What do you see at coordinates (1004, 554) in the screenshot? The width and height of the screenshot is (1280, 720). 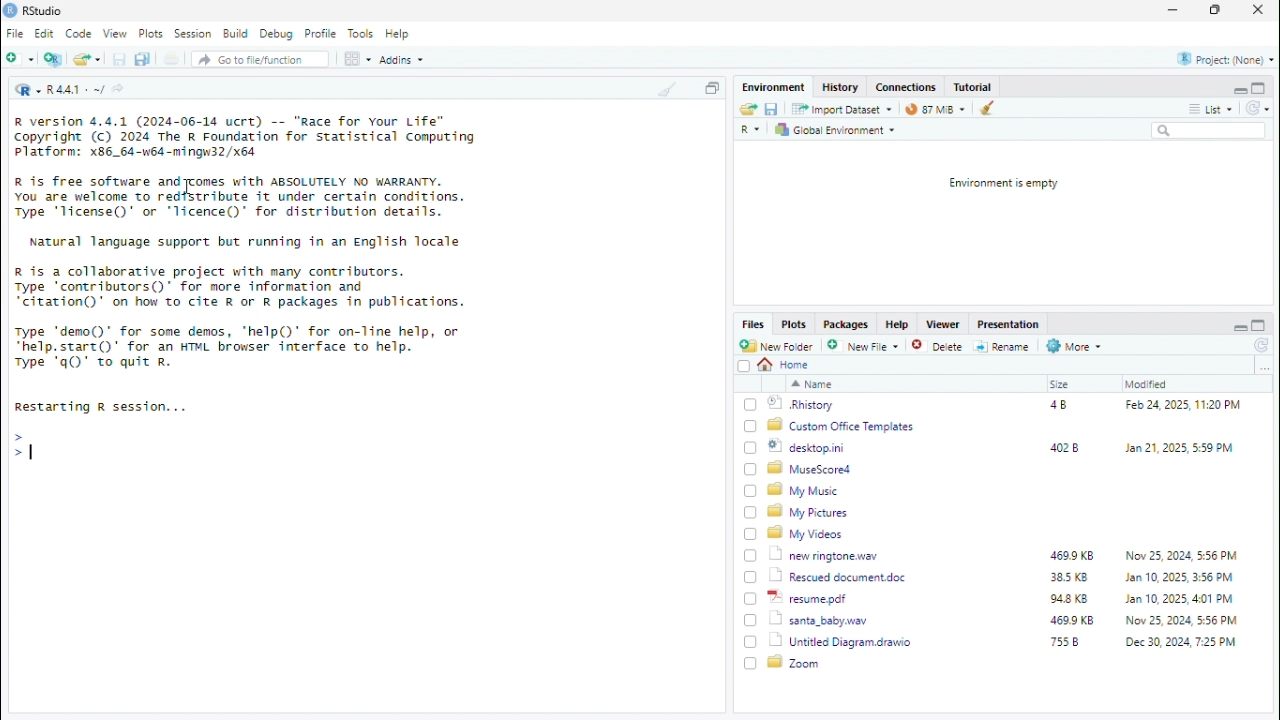 I see `new ringtone. wav 469.9KB Nov 25 2024 556 PM` at bounding box center [1004, 554].